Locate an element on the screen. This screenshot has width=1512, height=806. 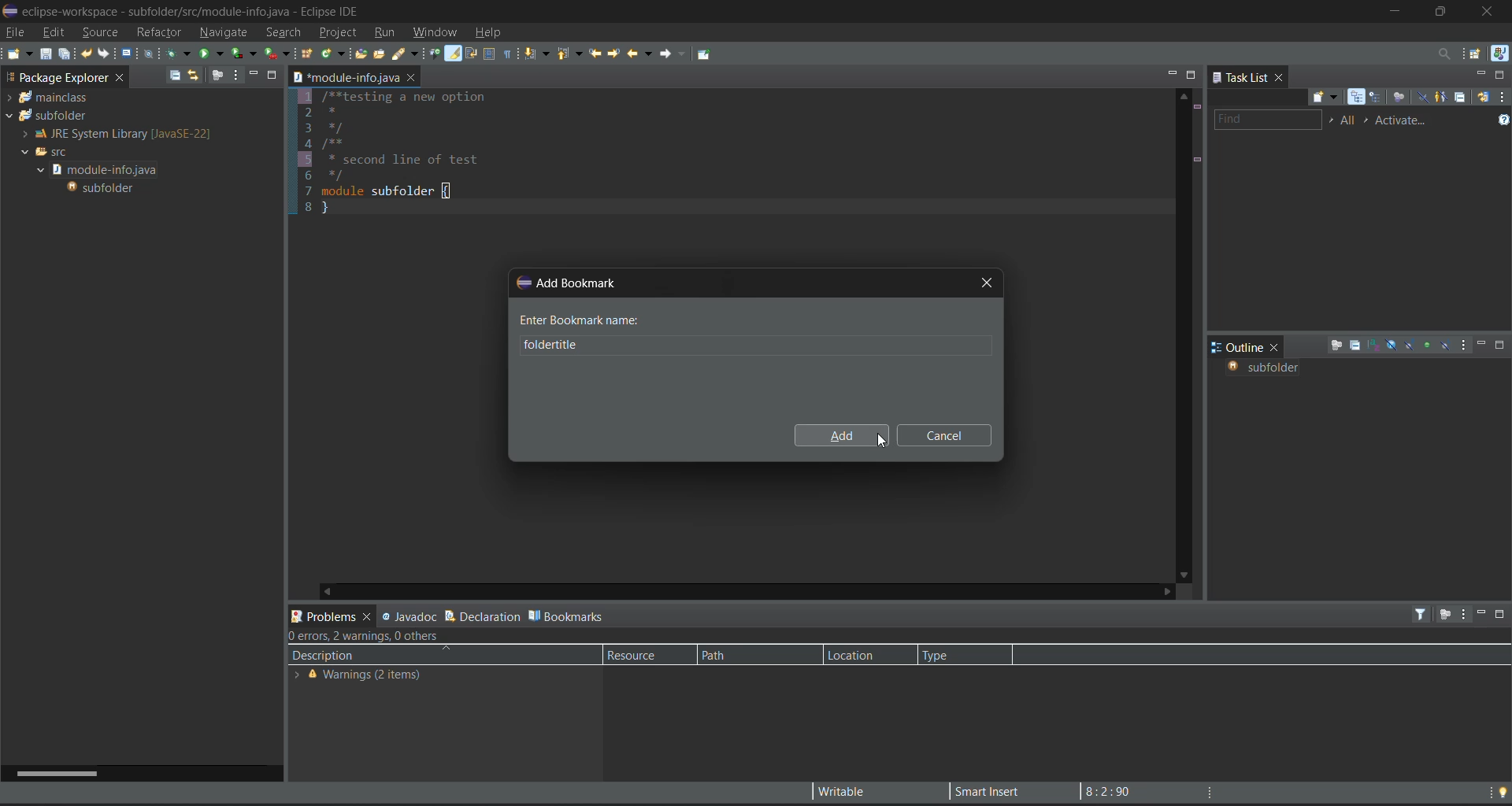
hide completed tasks is located at coordinates (1423, 98).